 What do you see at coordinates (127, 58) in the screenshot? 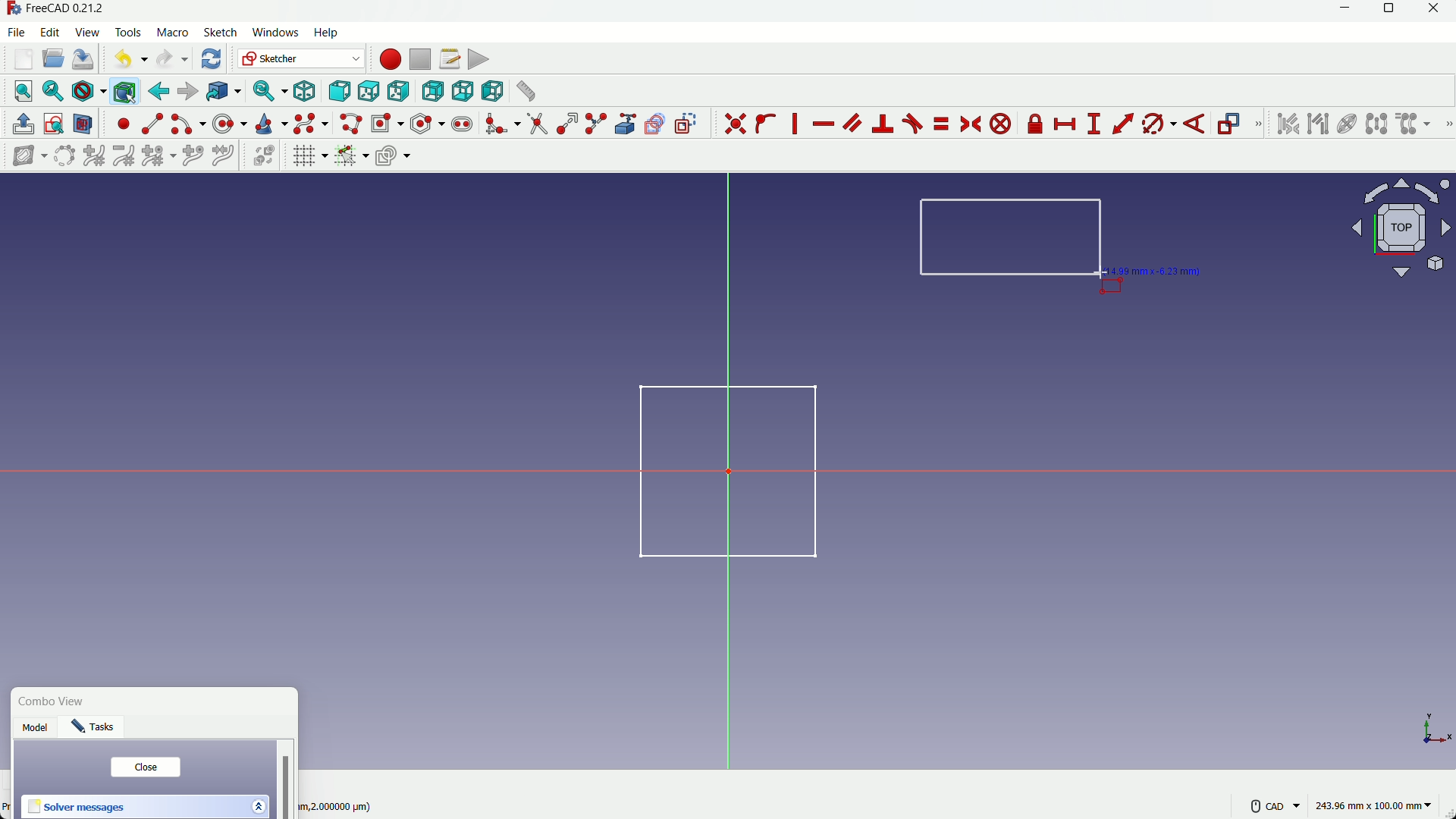
I see `undo` at bounding box center [127, 58].